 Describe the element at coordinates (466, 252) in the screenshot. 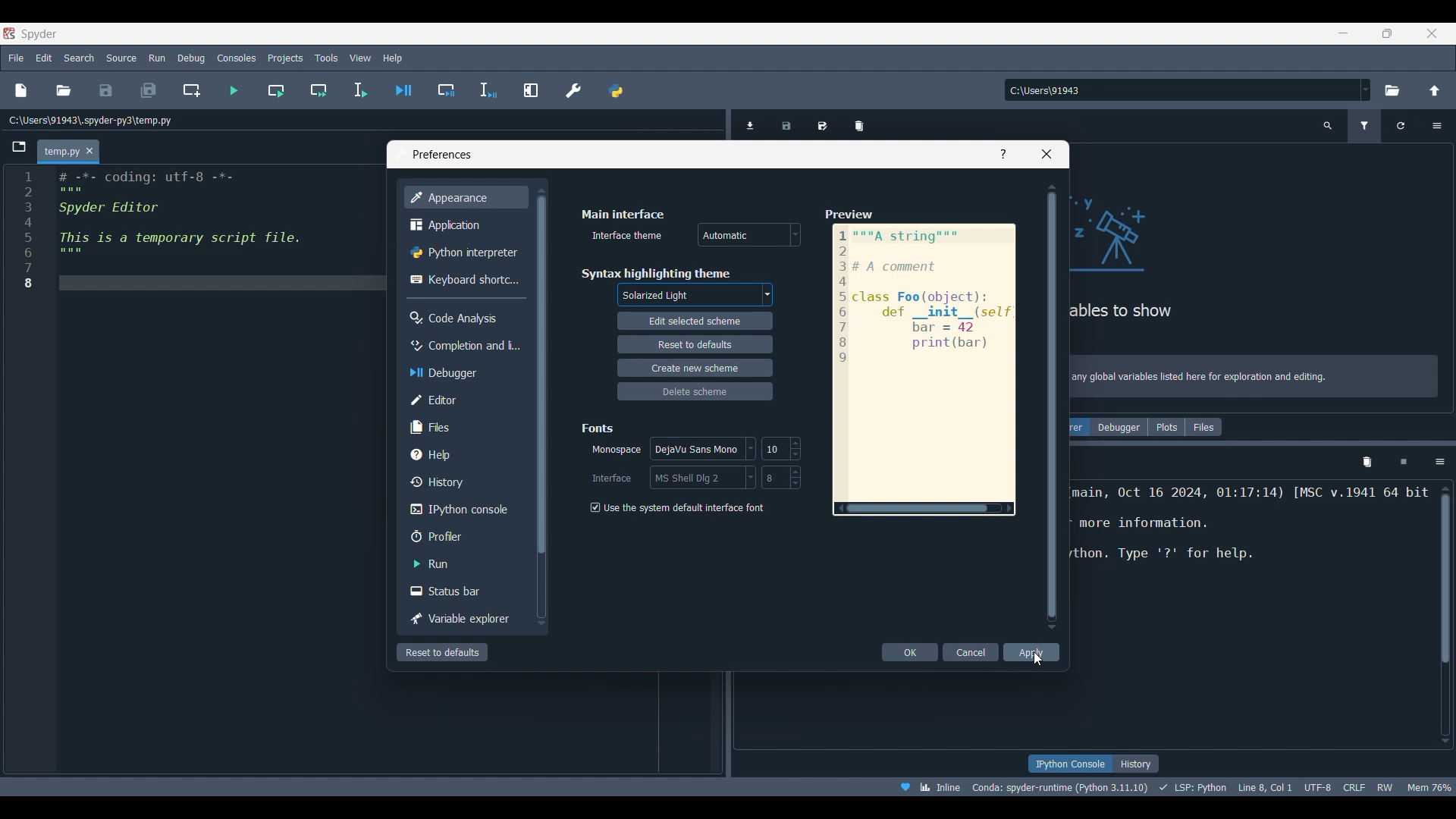

I see `Python interpreter` at that location.